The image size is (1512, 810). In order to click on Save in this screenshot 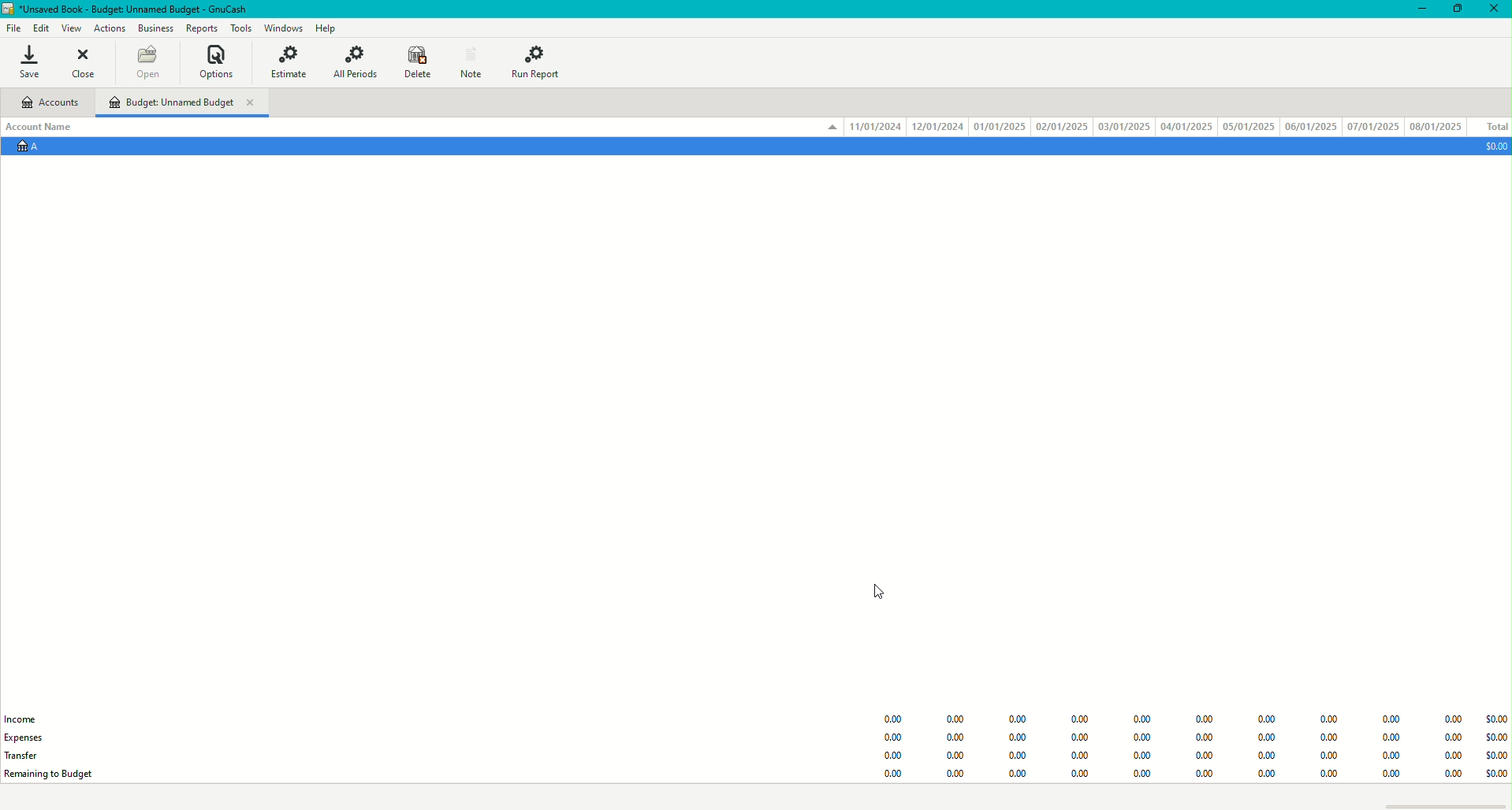, I will do `click(34, 64)`.